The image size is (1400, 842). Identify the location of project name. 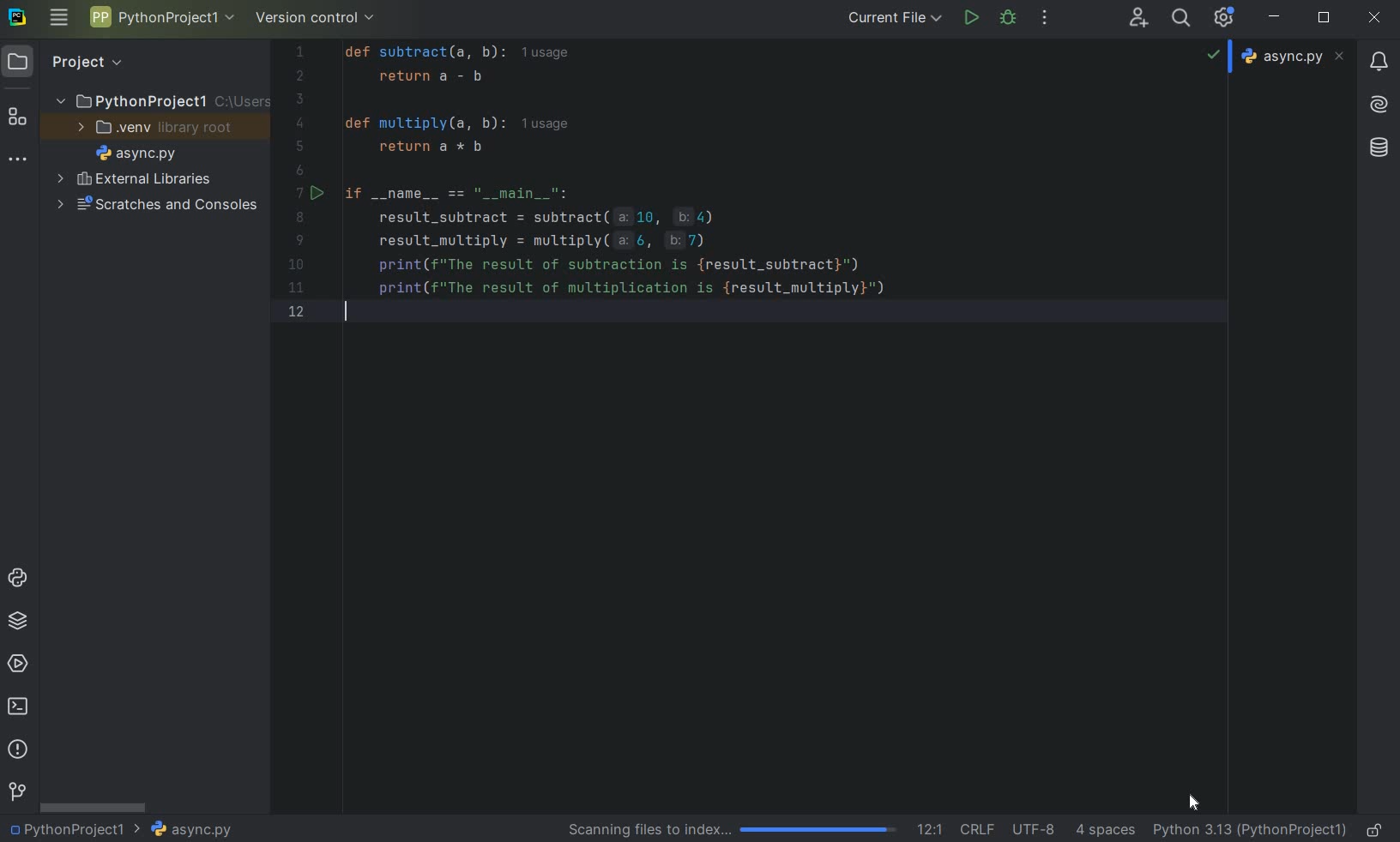
(160, 16).